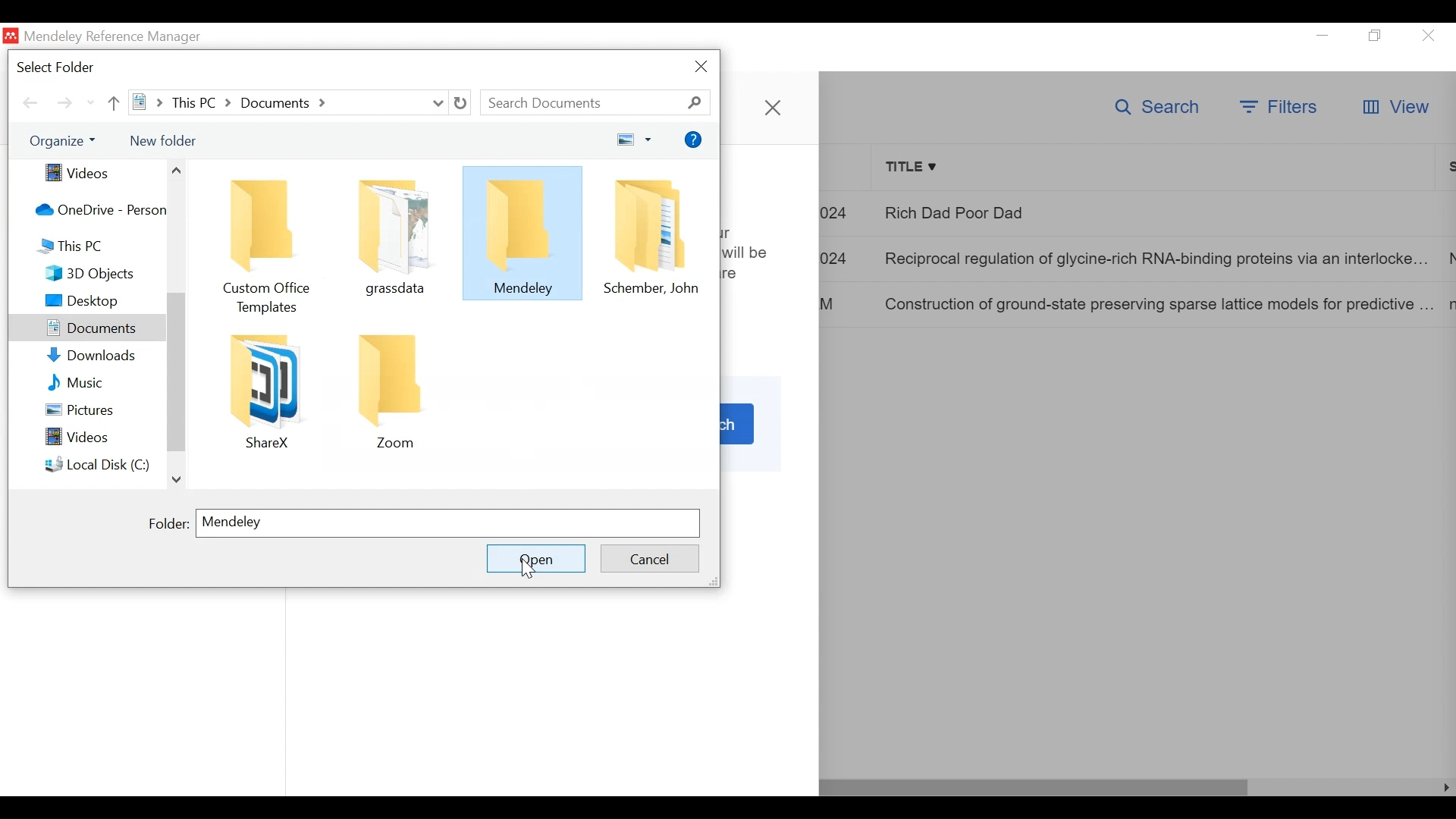 The width and height of the screenshot is (1456, 819). What do you see at coordinates (390, 389) in the screenshot?
I see `Folder` at bounding box center [390, 389].